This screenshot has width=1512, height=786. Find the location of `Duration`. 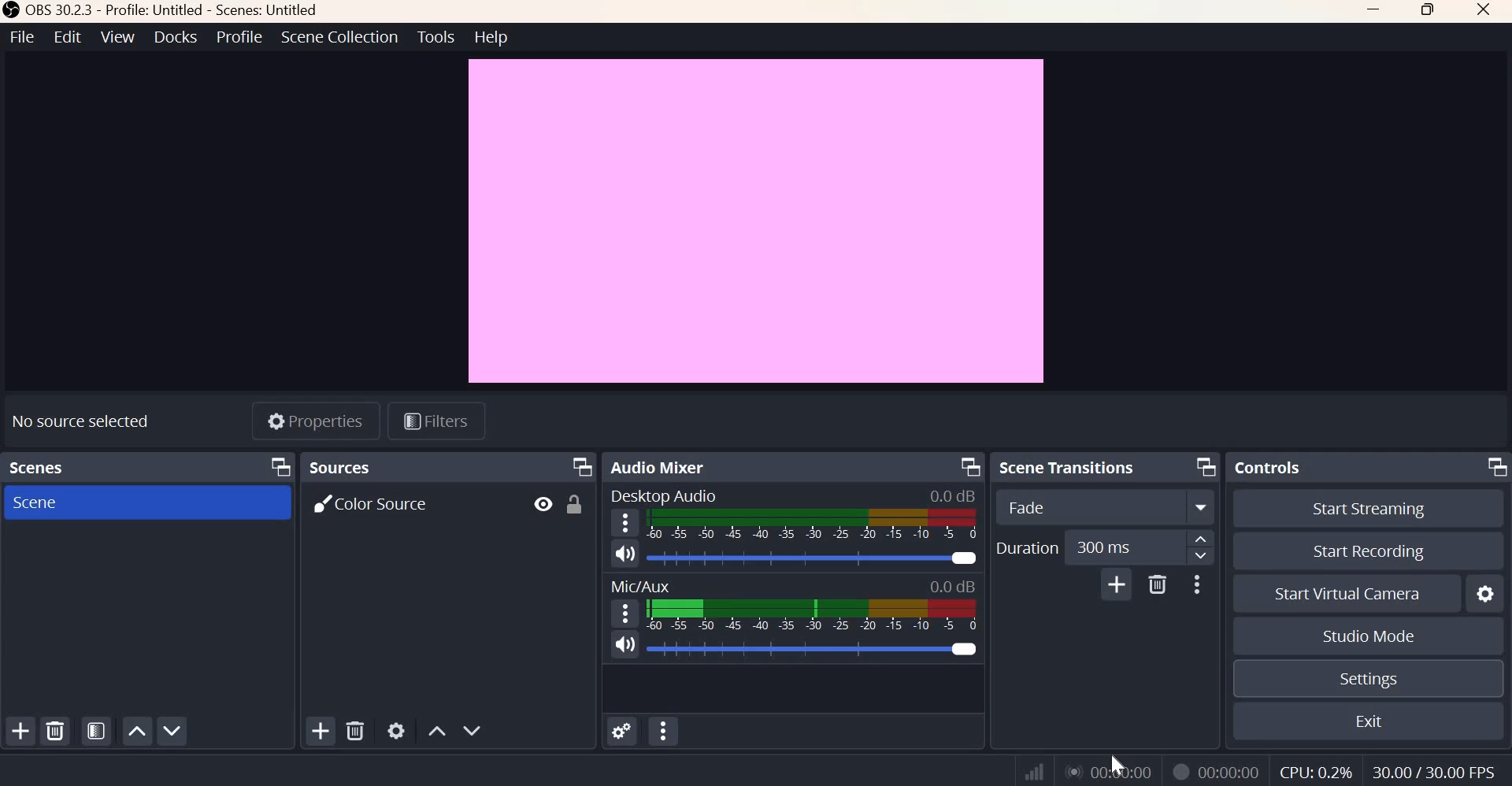

Duration is located at coordinates (1026, 547).